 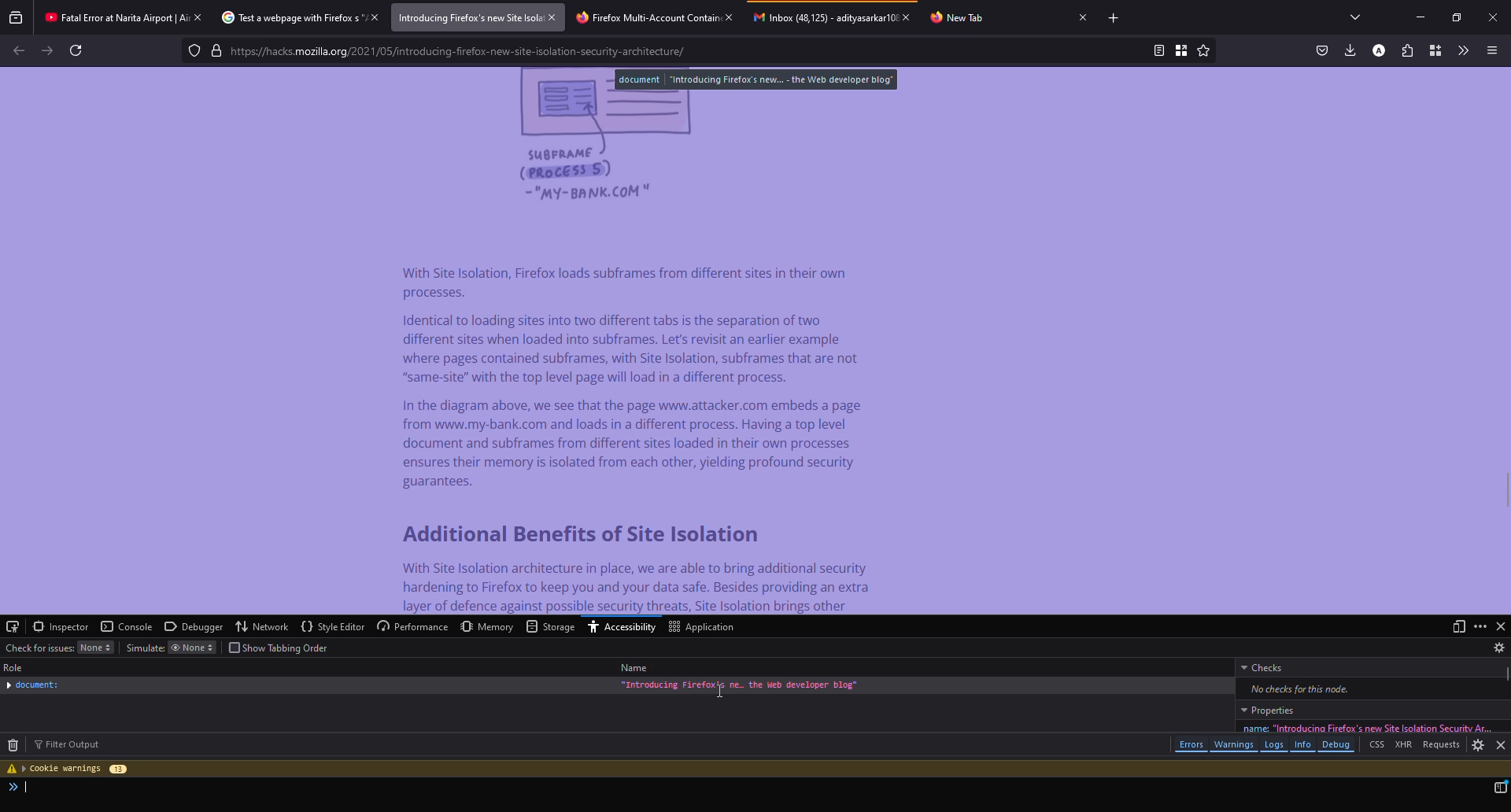 What do you see at coordinates (490, 626) in the screenshot?
I see `memory` at bounding box center [490, 626].